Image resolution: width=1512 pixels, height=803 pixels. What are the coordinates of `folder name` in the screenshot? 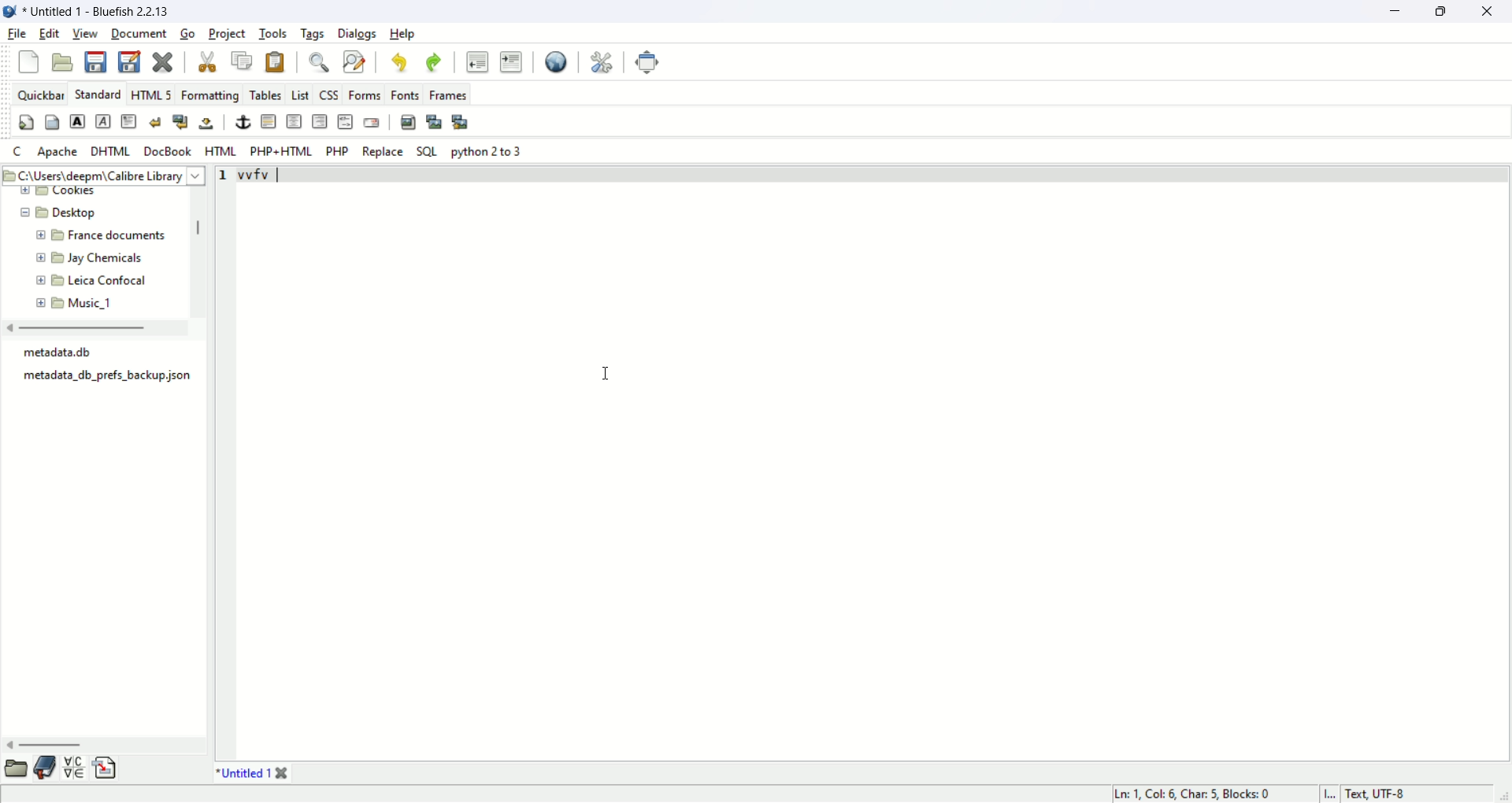 It's located at (101, 279).